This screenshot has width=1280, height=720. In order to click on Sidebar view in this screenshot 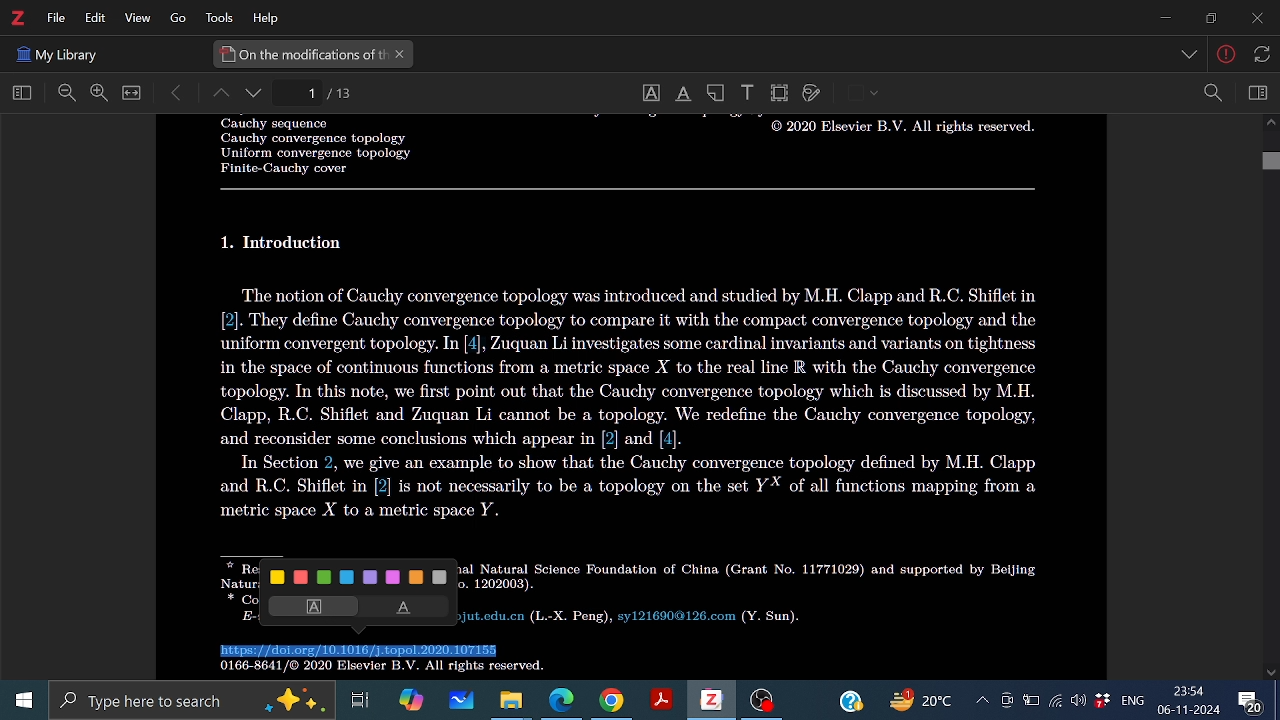, I will do `click(1255, 93)`.